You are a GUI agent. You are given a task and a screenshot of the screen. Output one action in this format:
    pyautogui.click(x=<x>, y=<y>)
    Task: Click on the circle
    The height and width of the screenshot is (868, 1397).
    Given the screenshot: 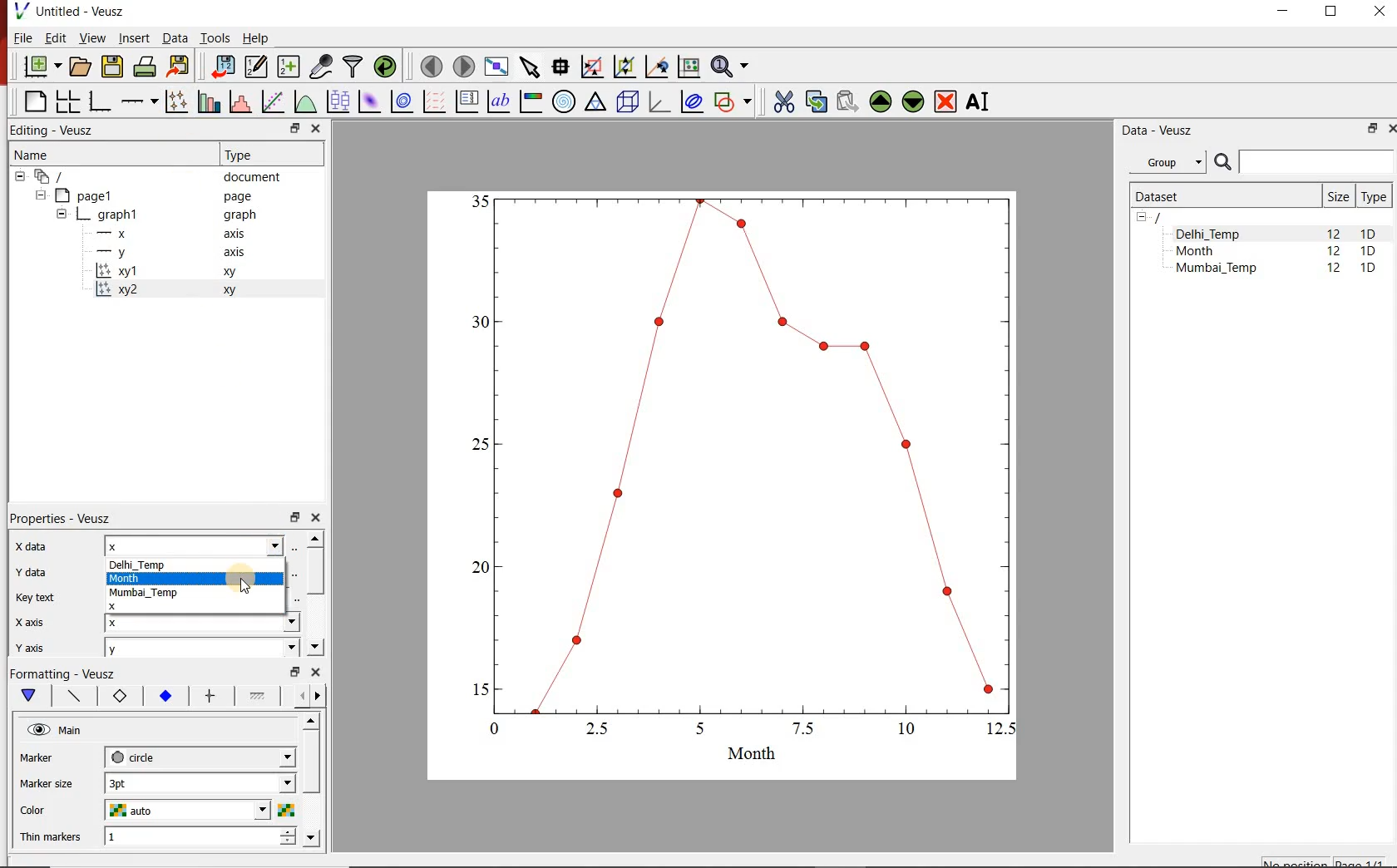 What is the action you would take?
    pyautogui.click(x=200, y=757)
    